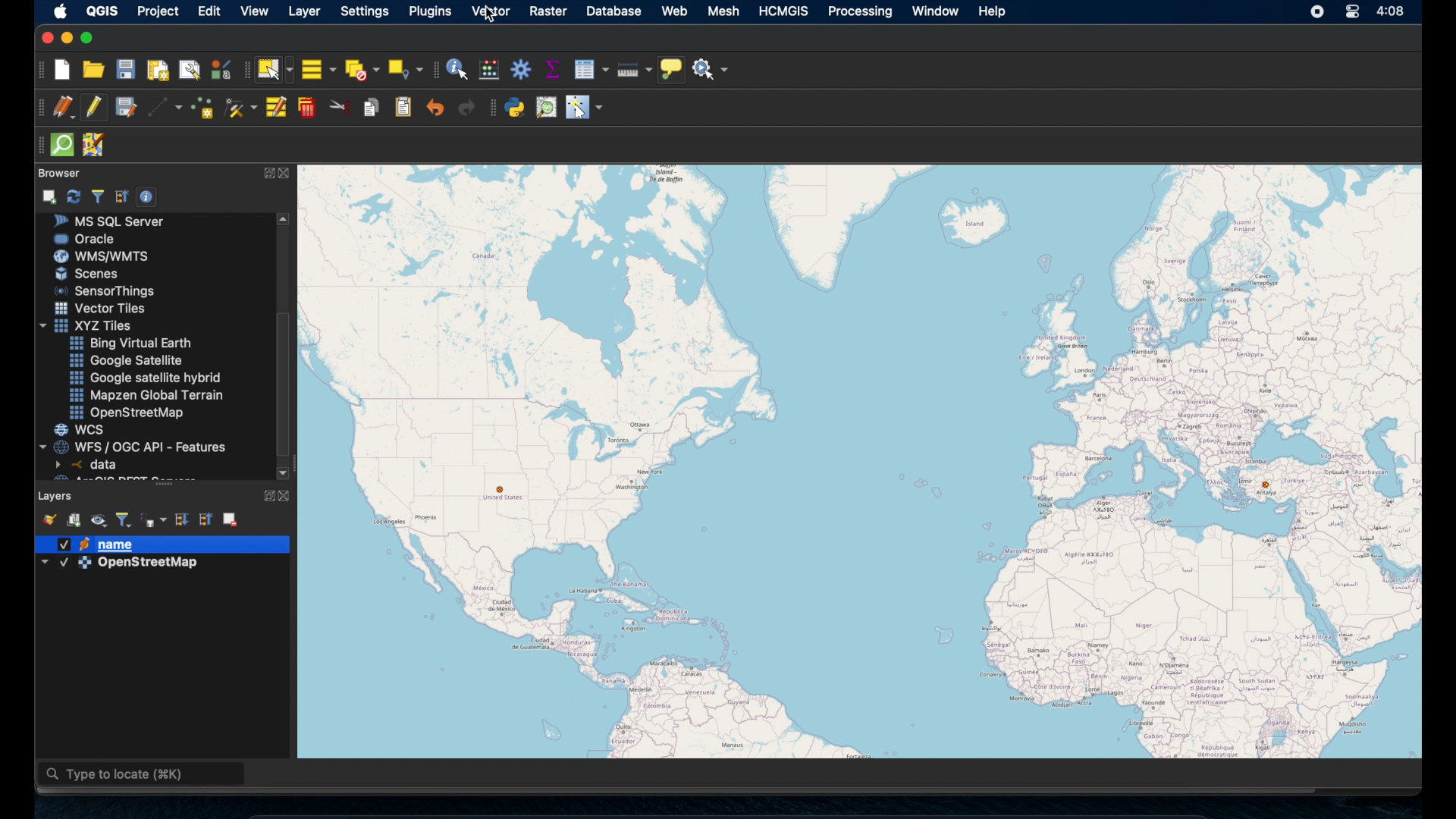 This screenshot has height=819, width=1456. I want to click on select all features, so click(318, 69).